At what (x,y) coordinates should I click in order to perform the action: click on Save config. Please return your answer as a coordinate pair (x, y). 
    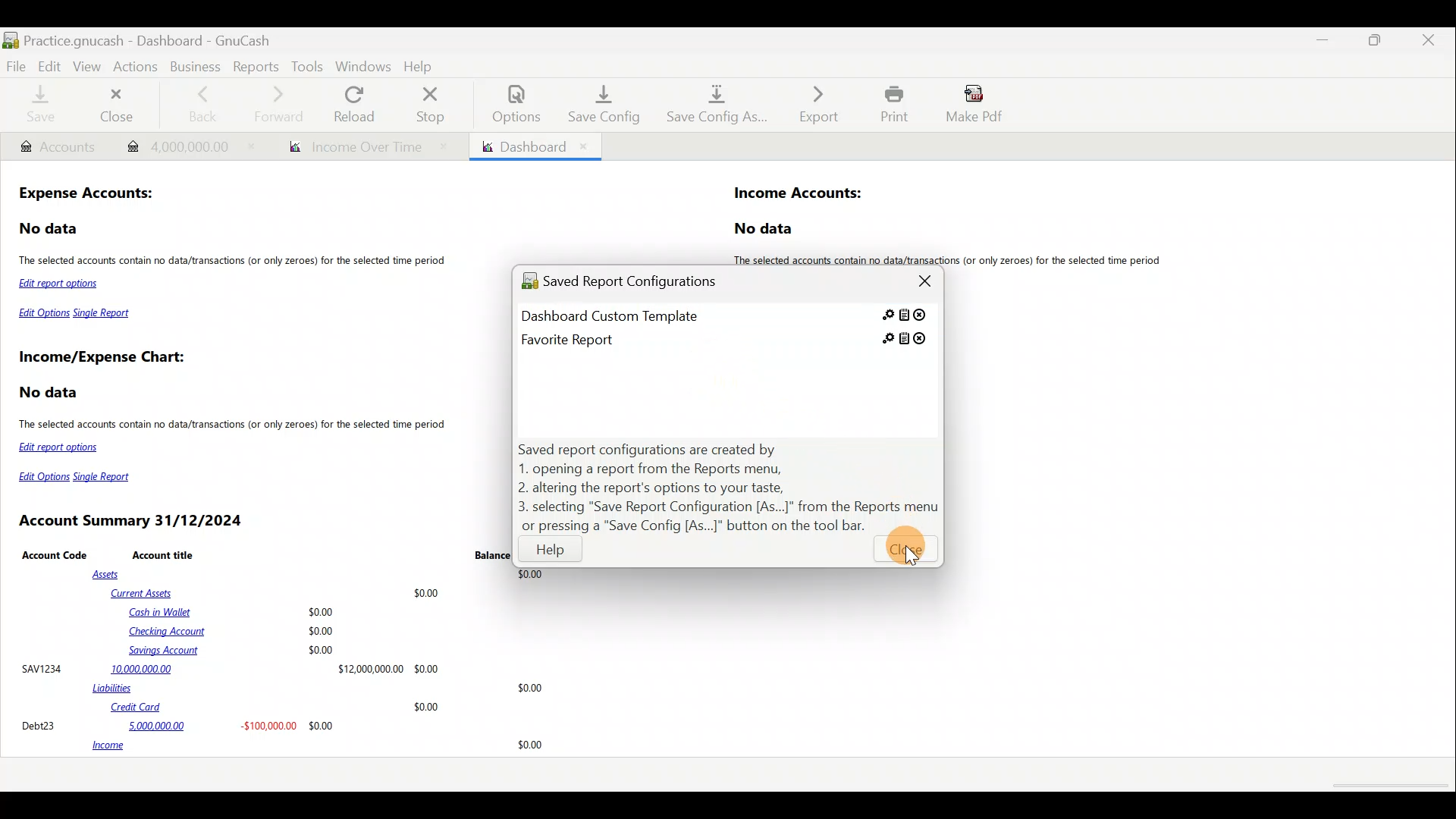
    Looking at the image, I should click on (598, 104).